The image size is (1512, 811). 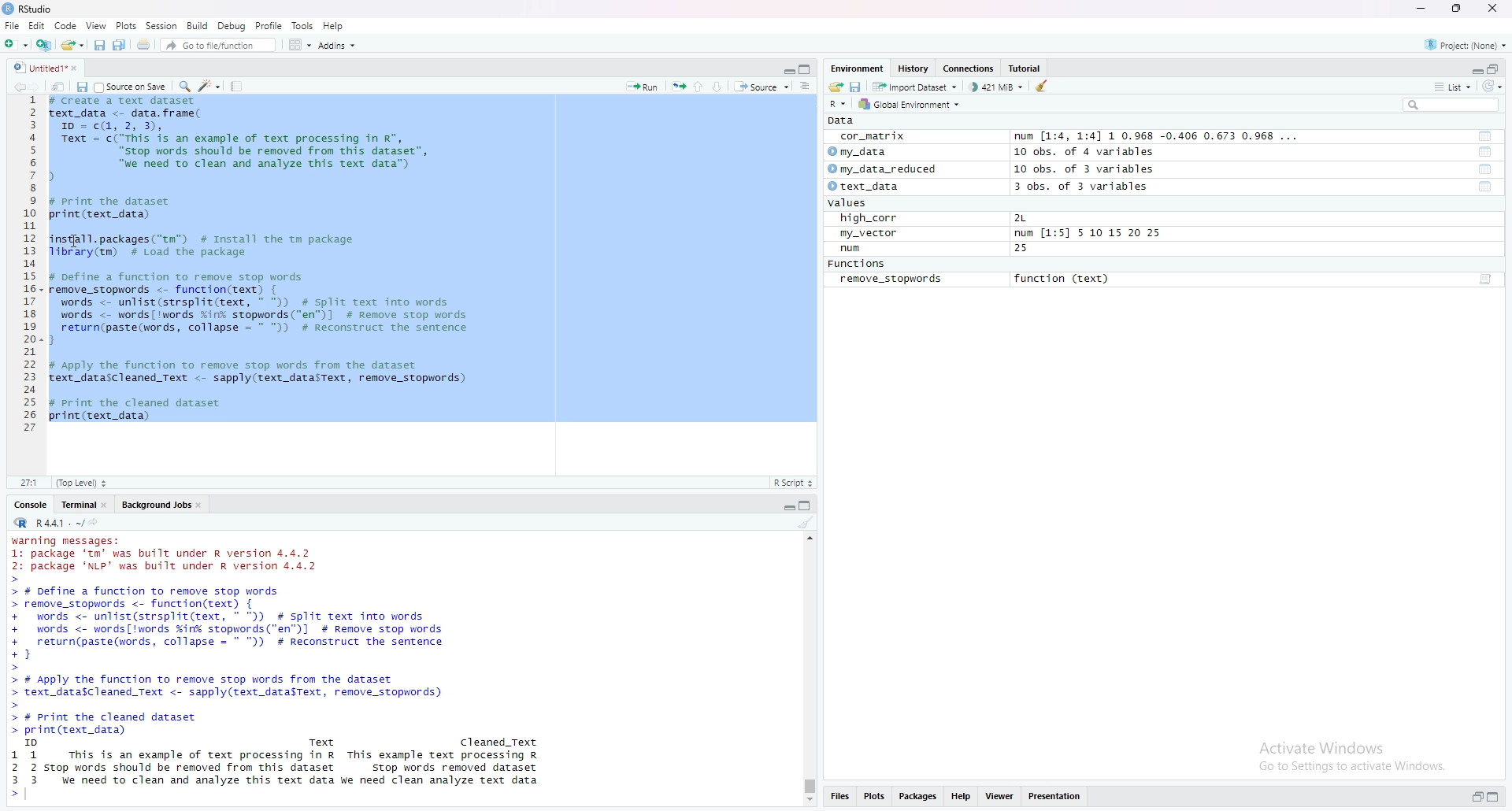 What do you see at coordinates (78, 242) in the screenshot?
I see `cursor` at bounding box center [78, 242].